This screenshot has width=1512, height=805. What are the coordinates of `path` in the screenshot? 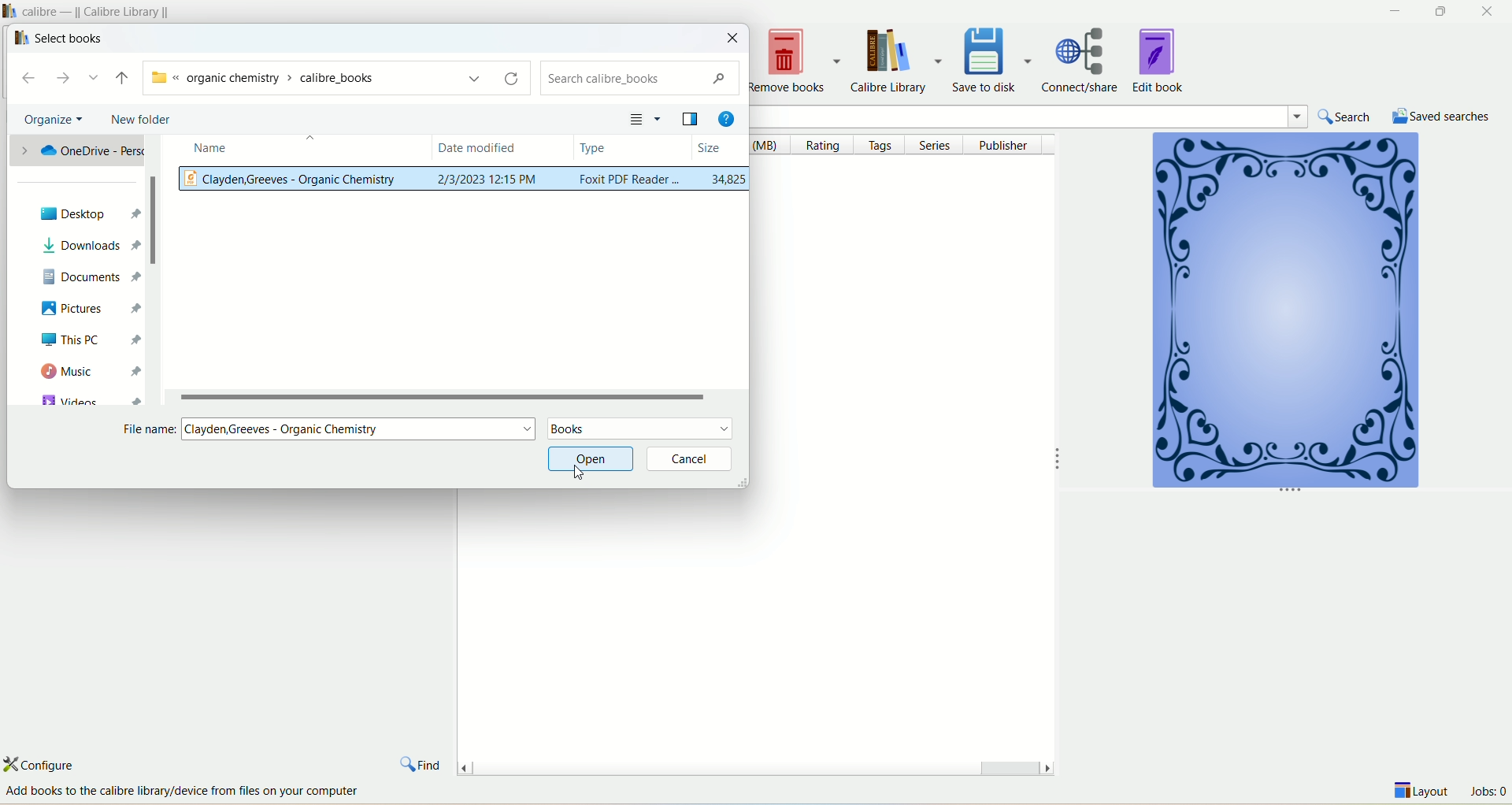 It's located at (330, 76).